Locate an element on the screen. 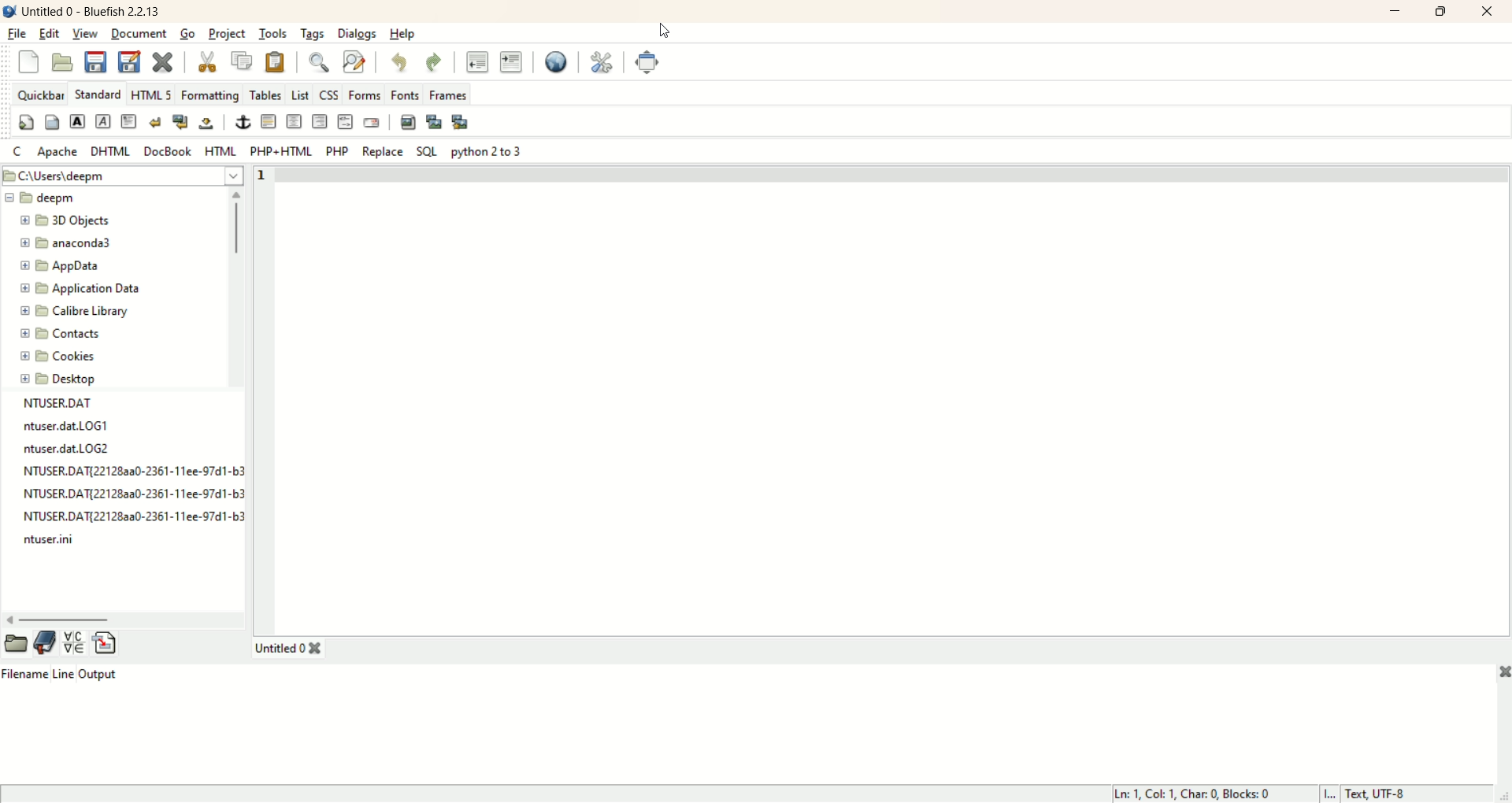 The width and height of the screenshot is (1512, 803). HTML 5 is located at coordinates (153, 94).